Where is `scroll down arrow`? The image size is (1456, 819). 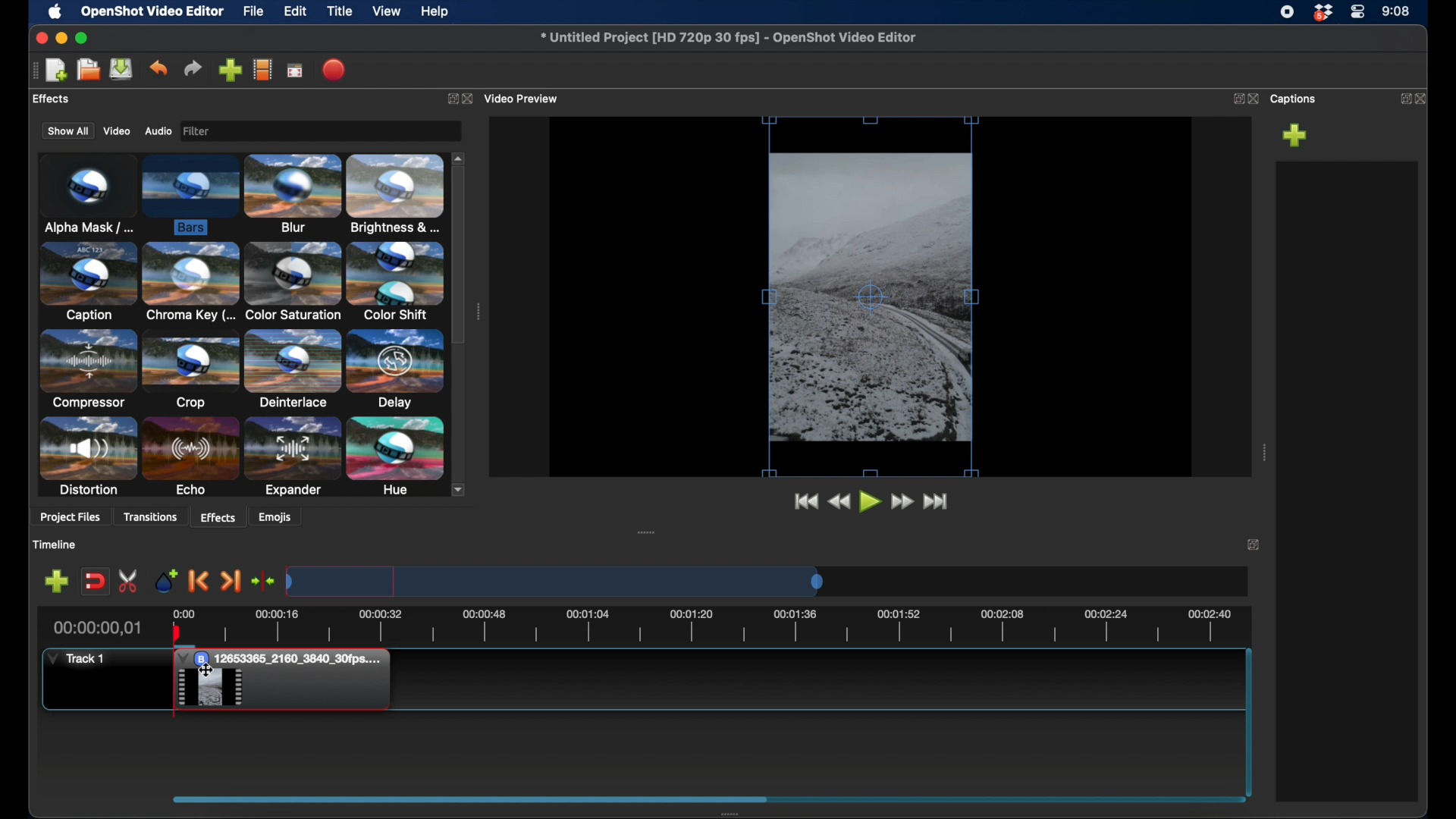
scroll down arrow is located at coordinates (463, 489).